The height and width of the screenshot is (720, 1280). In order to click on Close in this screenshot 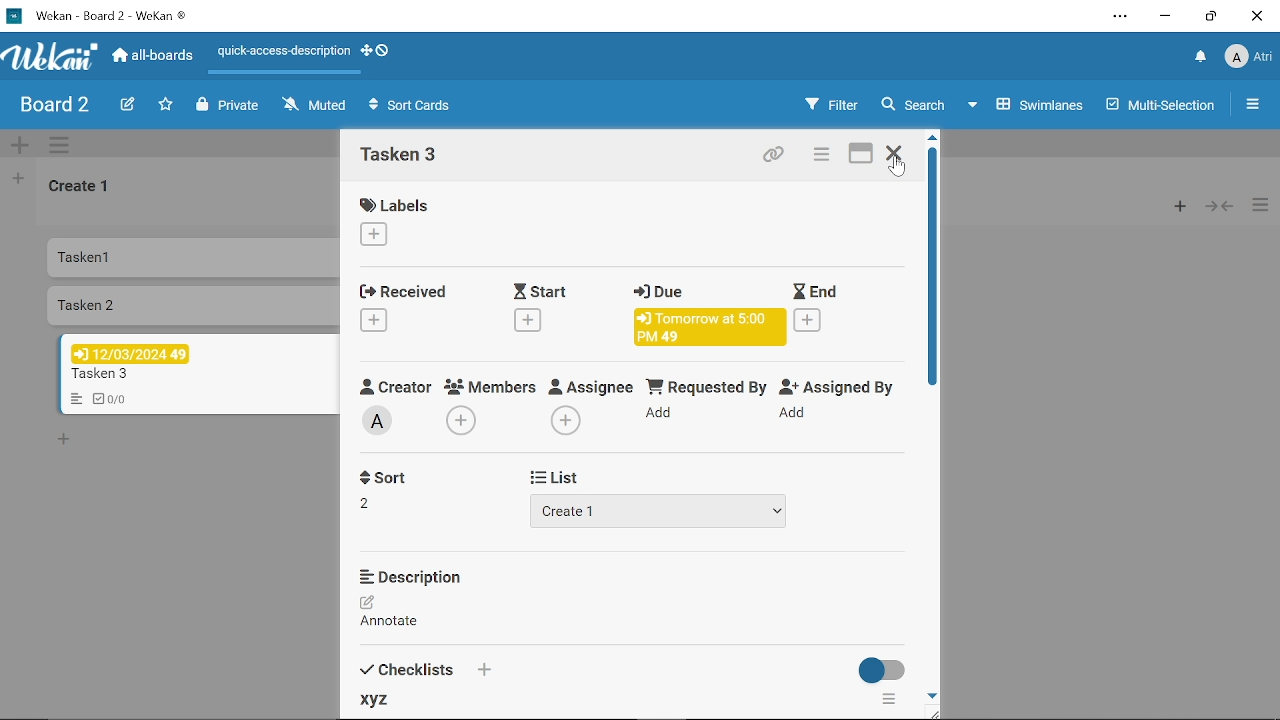, I will do `click(1258, 17)`.